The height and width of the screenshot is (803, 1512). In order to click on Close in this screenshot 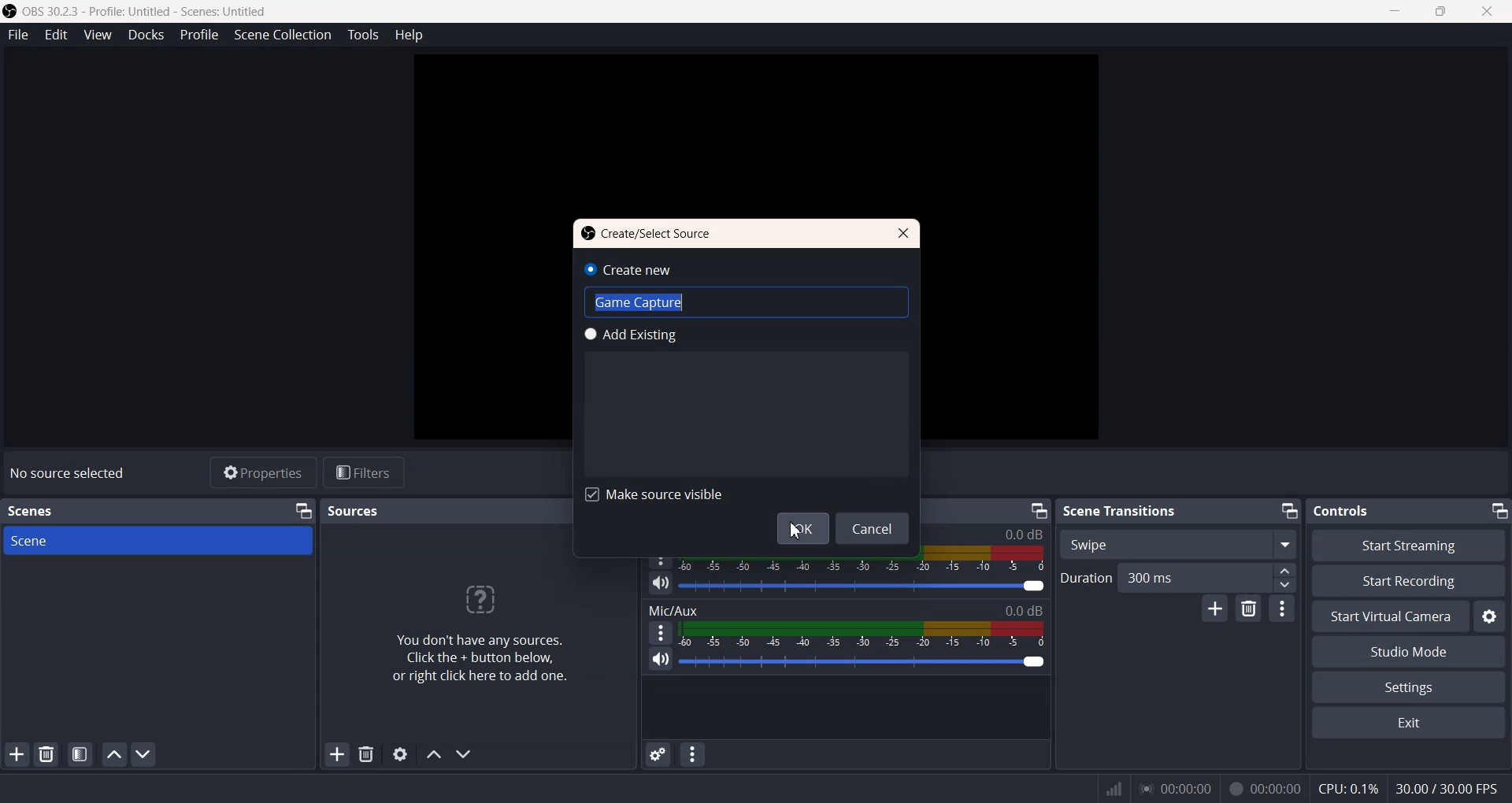, I will do `click(1487, 12)`.